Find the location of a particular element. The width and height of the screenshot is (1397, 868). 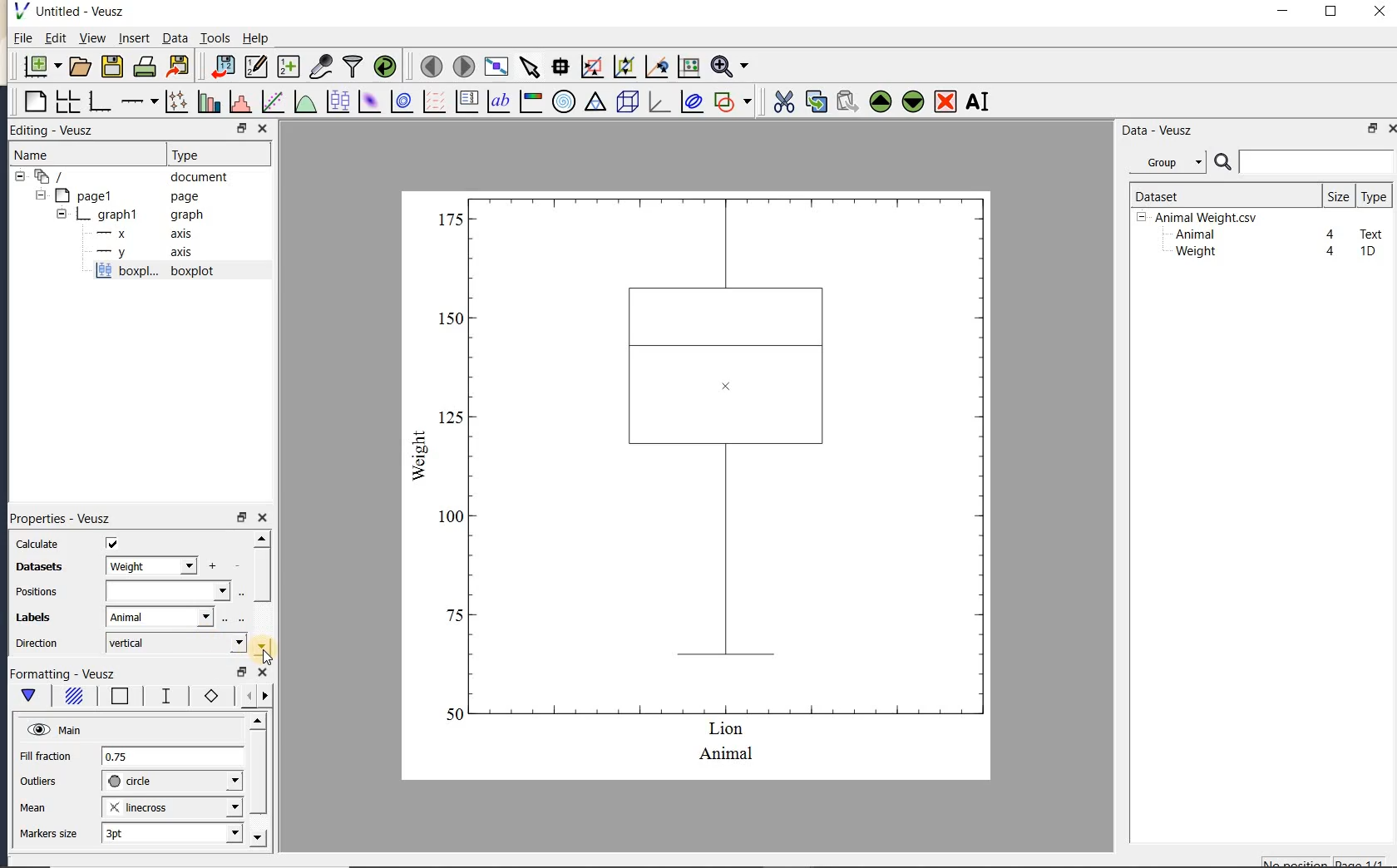

renames the selected widget is located at coordinates (976, 101).